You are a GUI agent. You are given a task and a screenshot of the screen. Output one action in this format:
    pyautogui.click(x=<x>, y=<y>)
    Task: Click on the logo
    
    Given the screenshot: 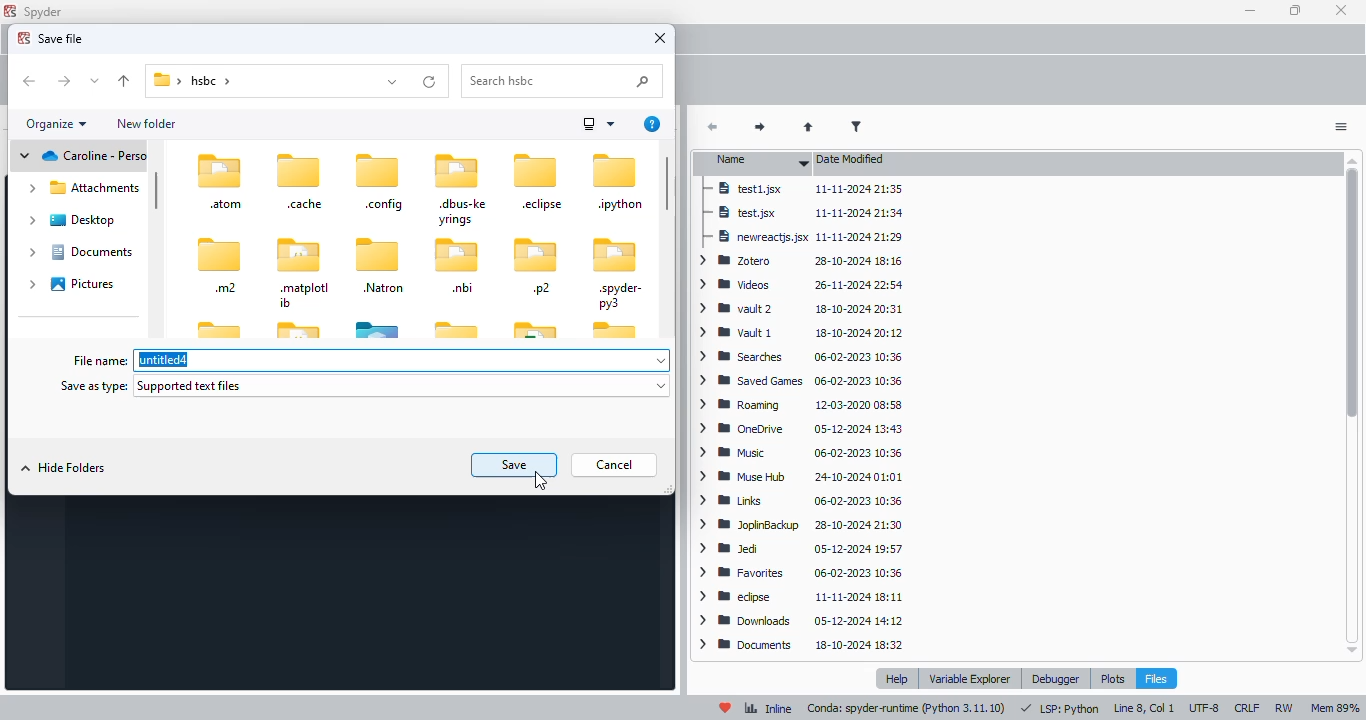 What is the action you would take?
    pyautogui.click(x=23, y=39)
    